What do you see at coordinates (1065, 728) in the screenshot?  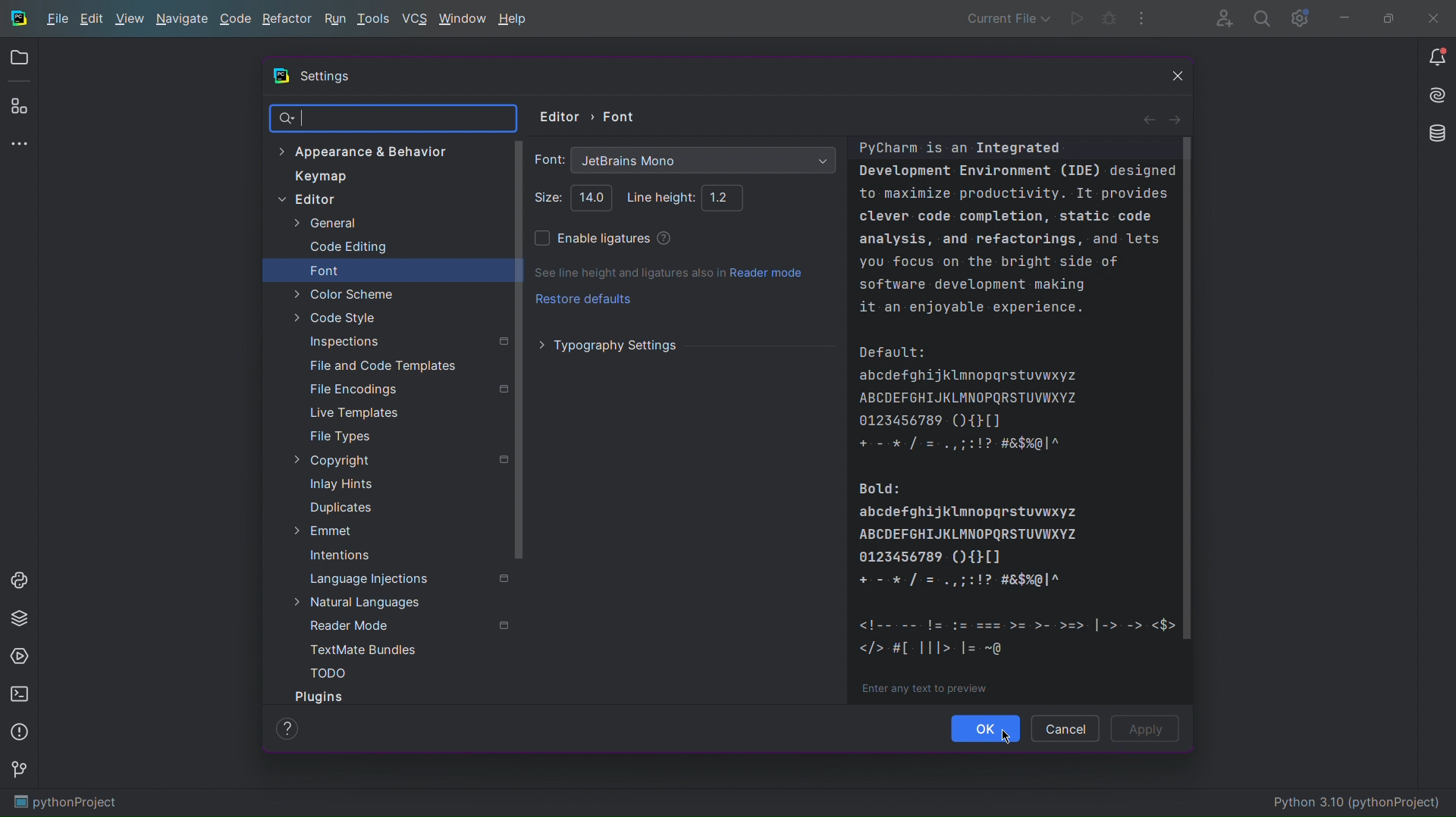 I see `Cancel` at bounding box center [1065, 728].